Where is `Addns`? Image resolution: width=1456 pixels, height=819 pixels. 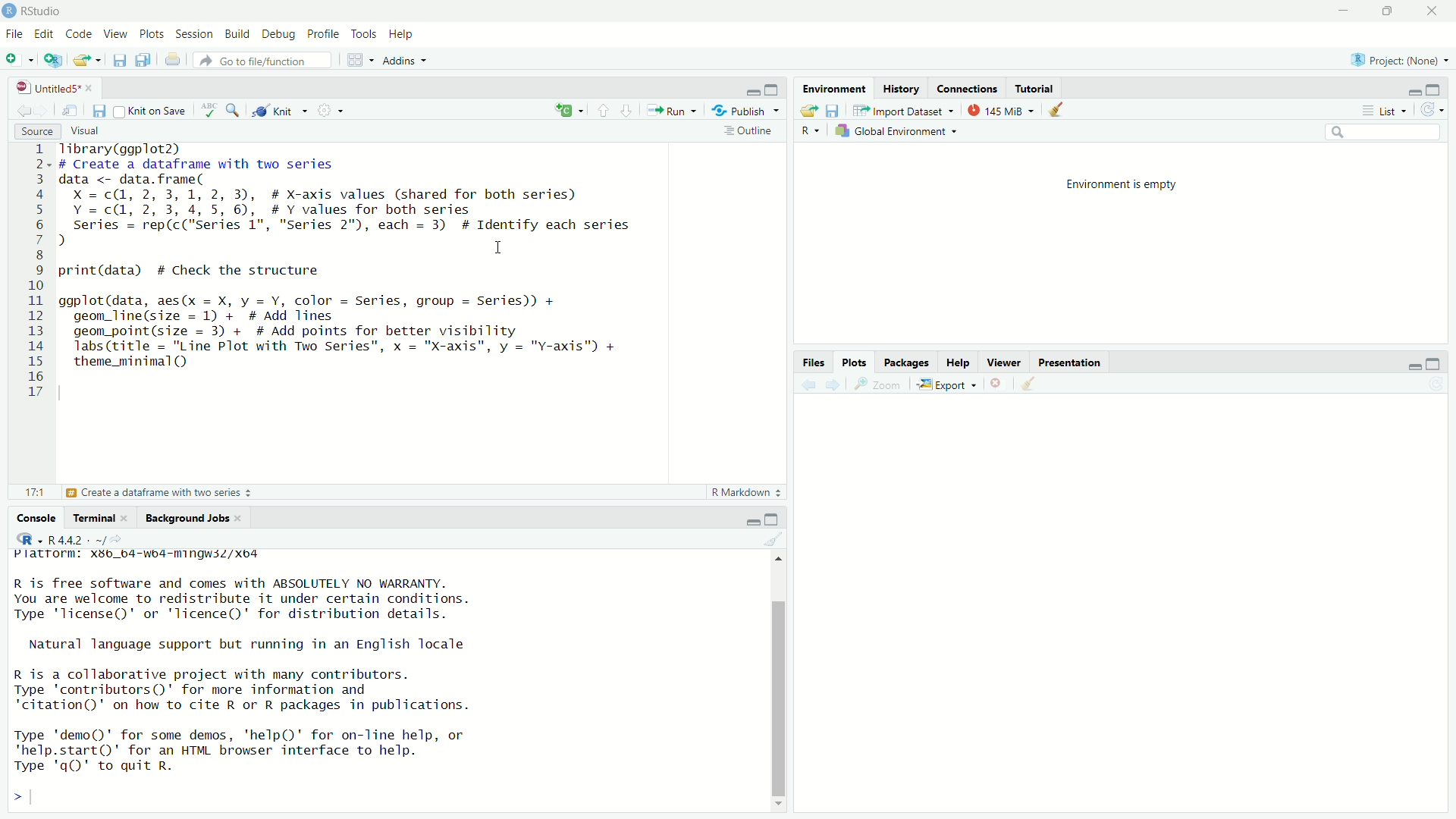
Addns is located at coordinates (409, 63).